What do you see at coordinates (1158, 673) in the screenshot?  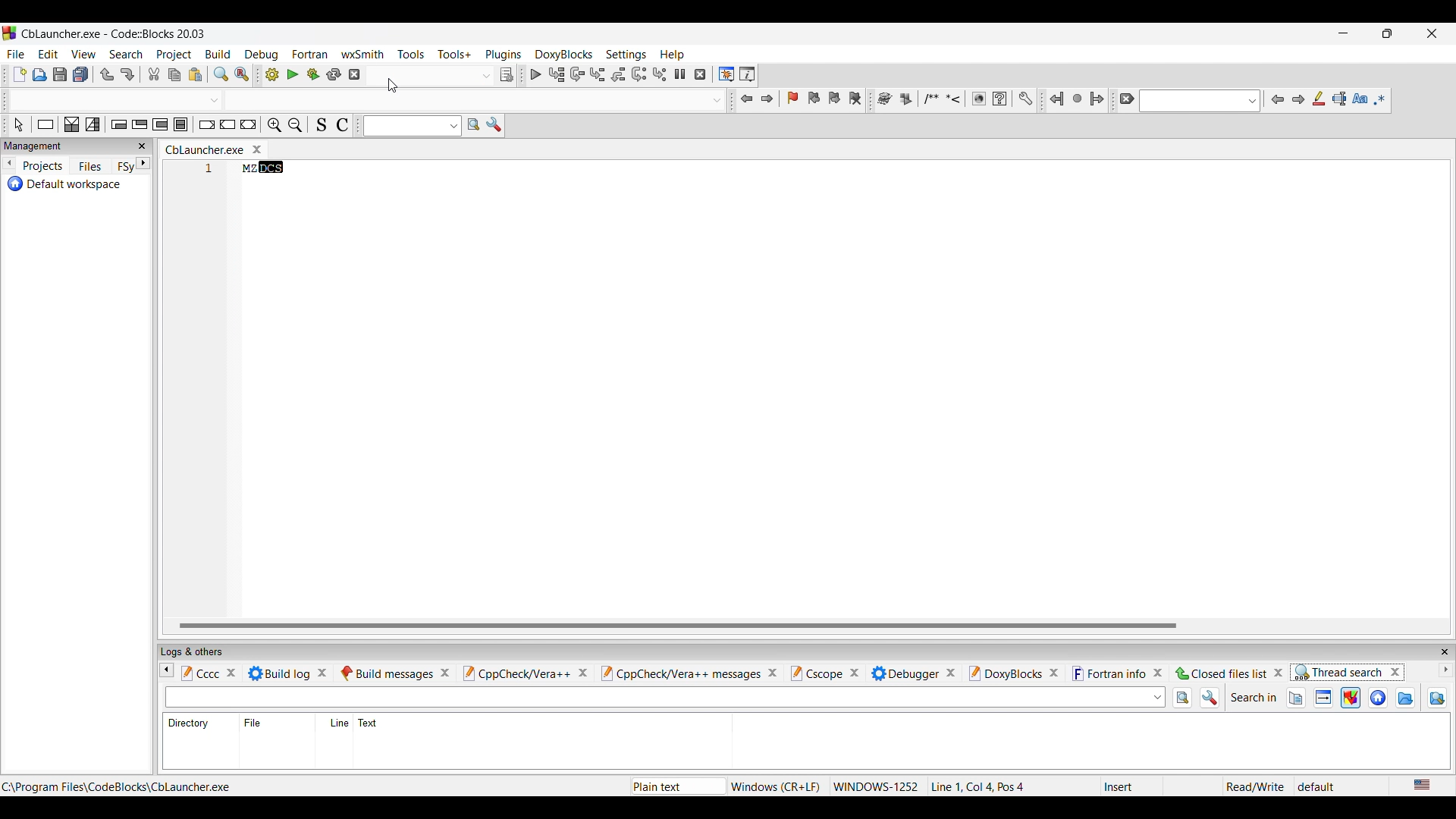 I see `Close fortran info` at bounding box center [1158, 673].